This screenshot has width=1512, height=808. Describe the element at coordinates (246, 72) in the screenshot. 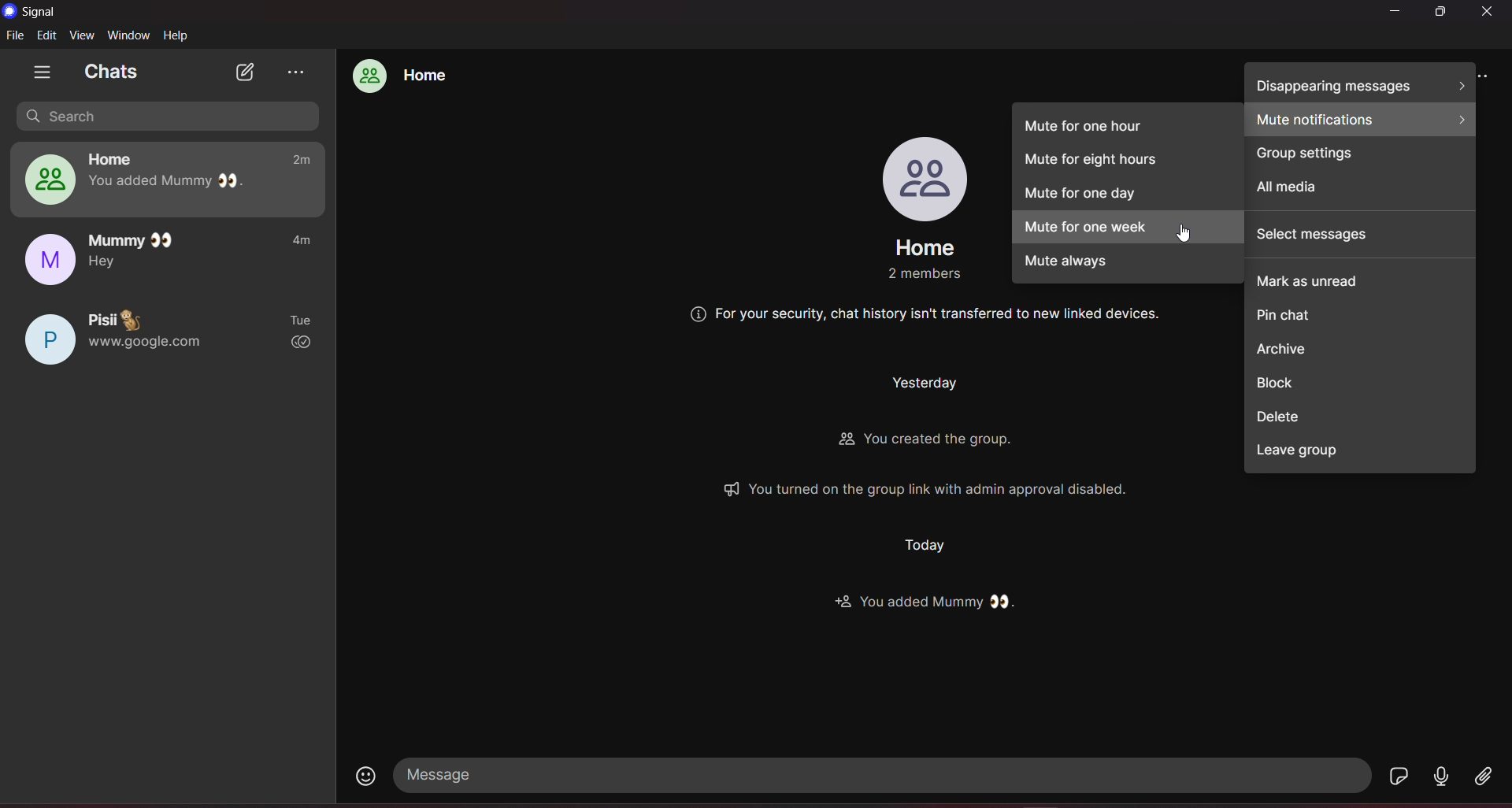

I see `new chat` at that location.